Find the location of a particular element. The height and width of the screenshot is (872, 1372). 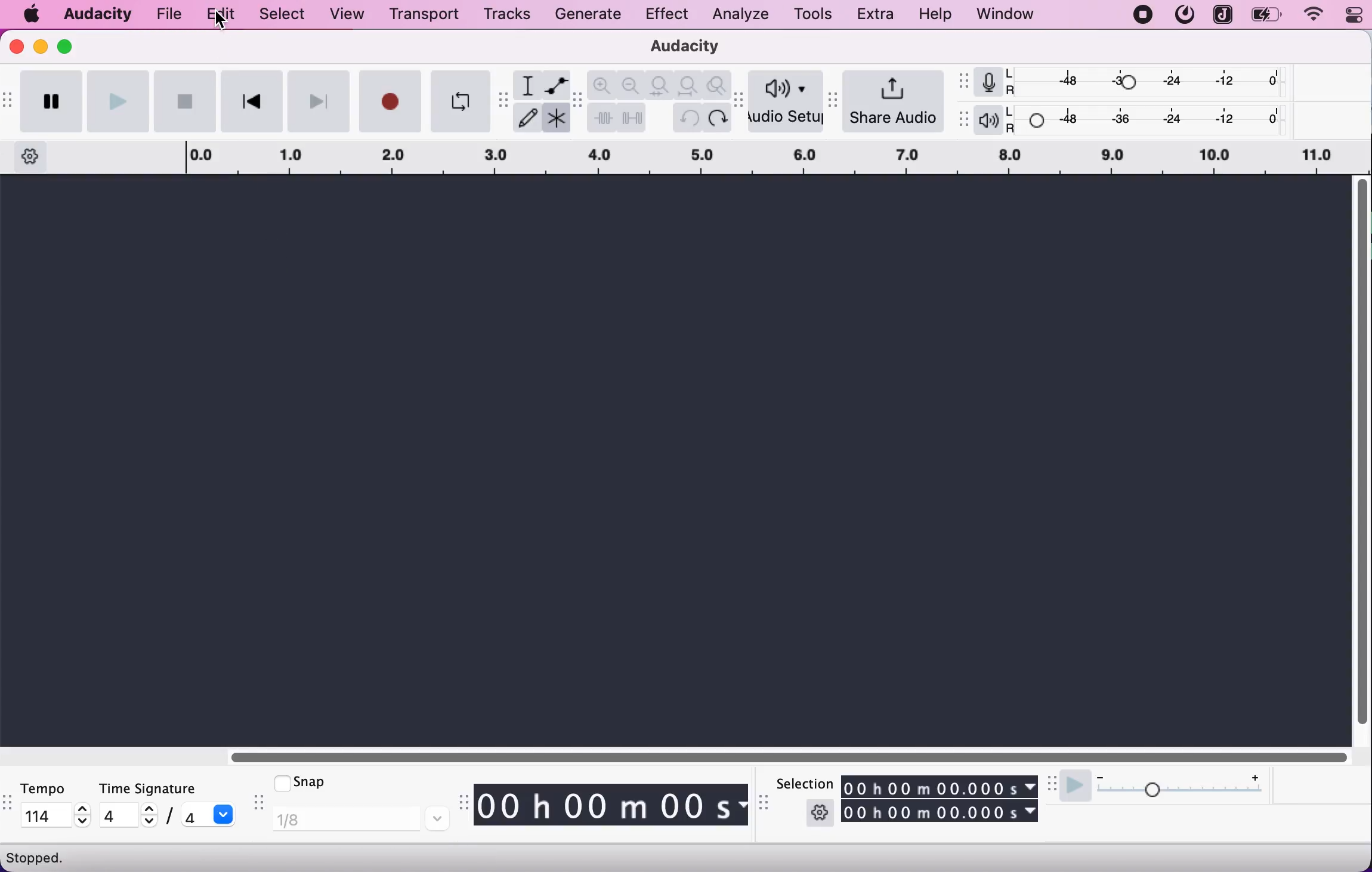

audacity tools toolbar is located at coordinates (503, 101).